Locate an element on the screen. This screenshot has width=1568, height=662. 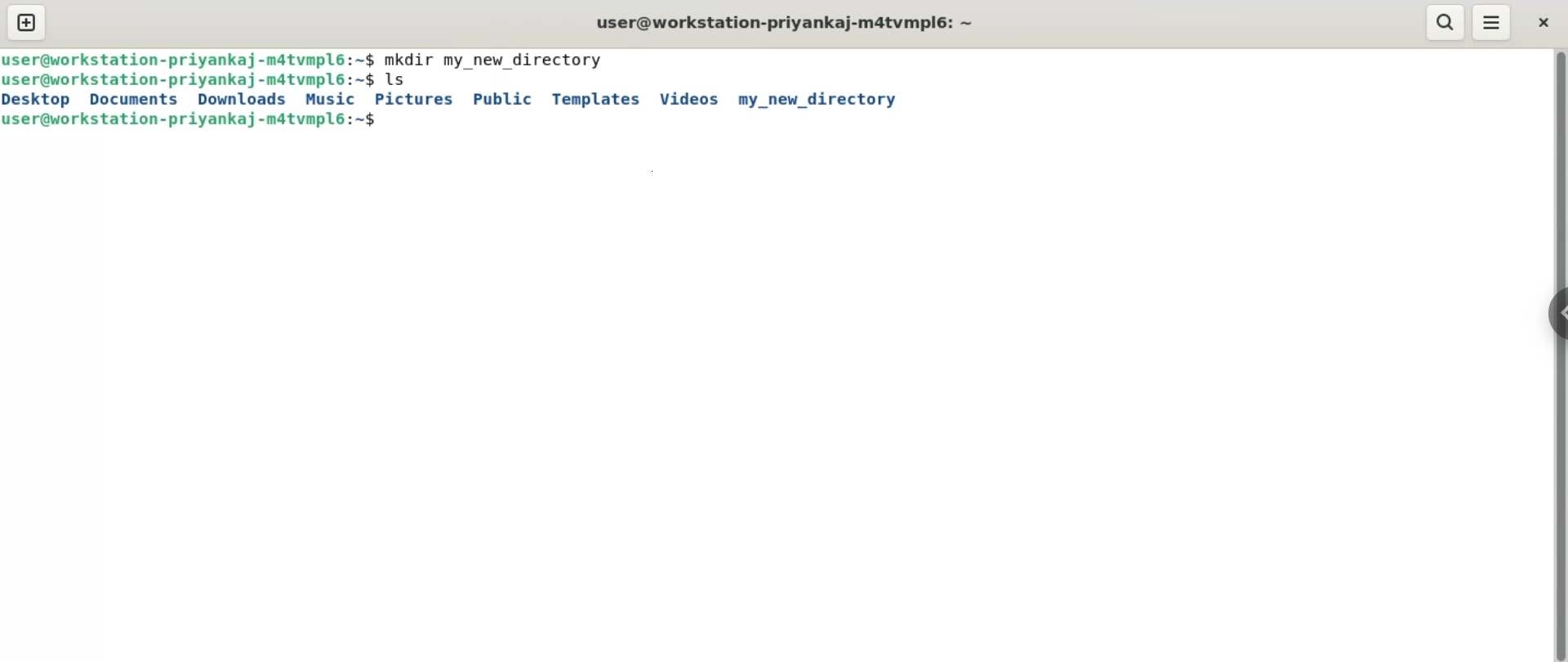
music is located at coordinates (328, 98).